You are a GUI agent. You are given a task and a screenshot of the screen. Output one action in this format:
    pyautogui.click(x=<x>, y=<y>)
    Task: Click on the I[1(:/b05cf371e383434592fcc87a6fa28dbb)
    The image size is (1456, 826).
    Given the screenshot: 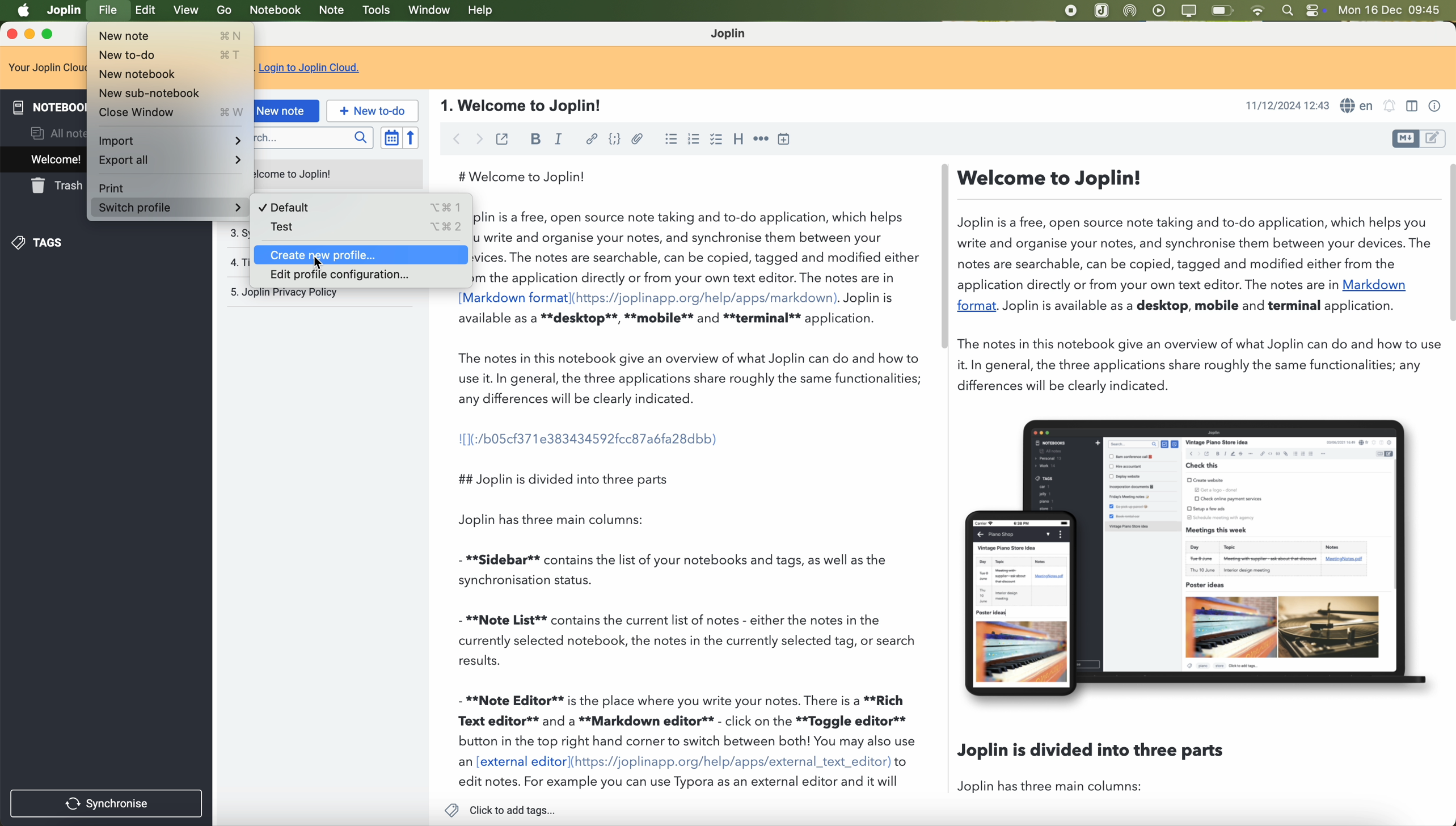 What is the action you would take?
    pyautogui.click(x=590, y=437)
    